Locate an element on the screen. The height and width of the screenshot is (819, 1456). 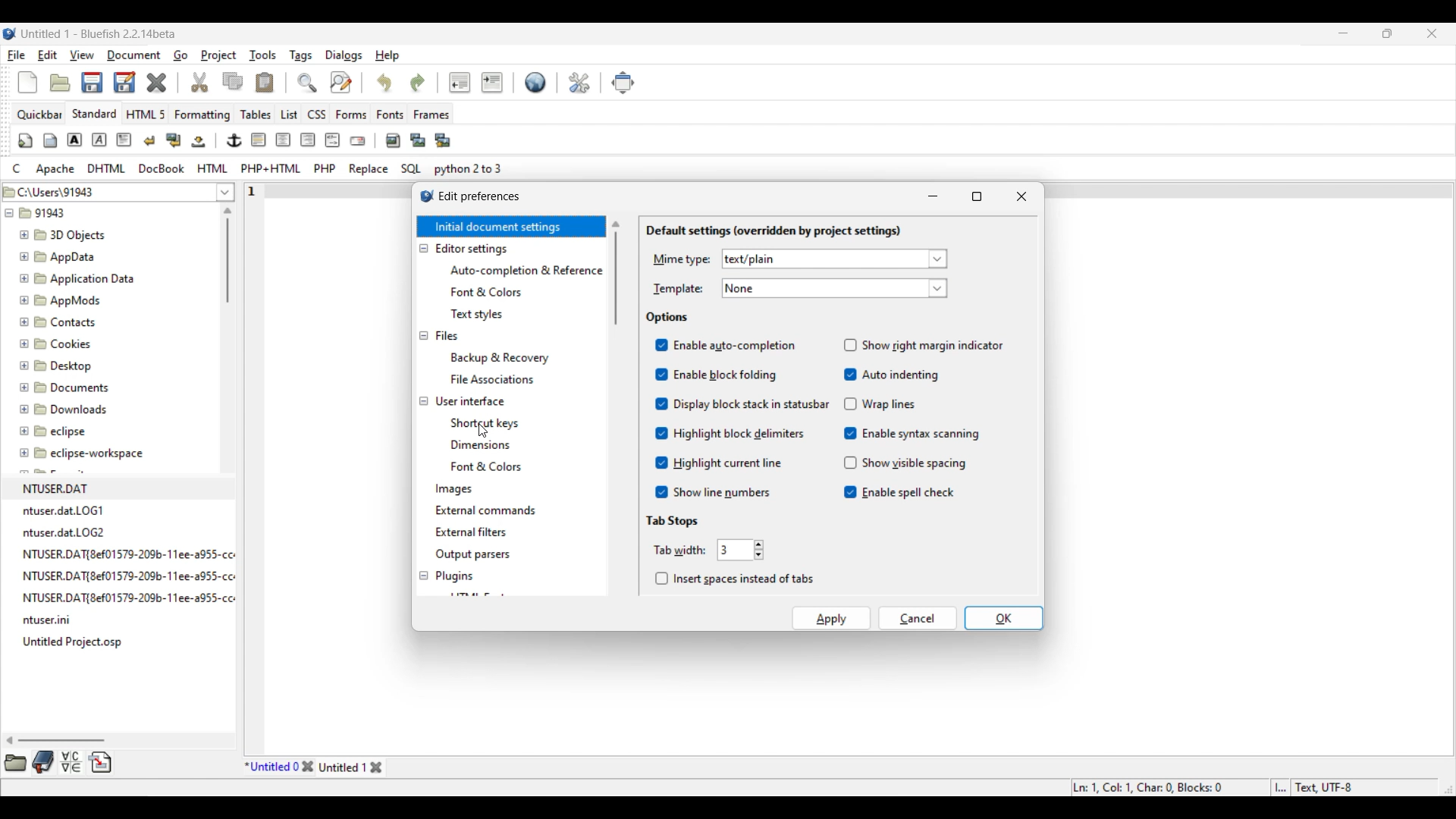
Section title is located at coordinates (669, 318).